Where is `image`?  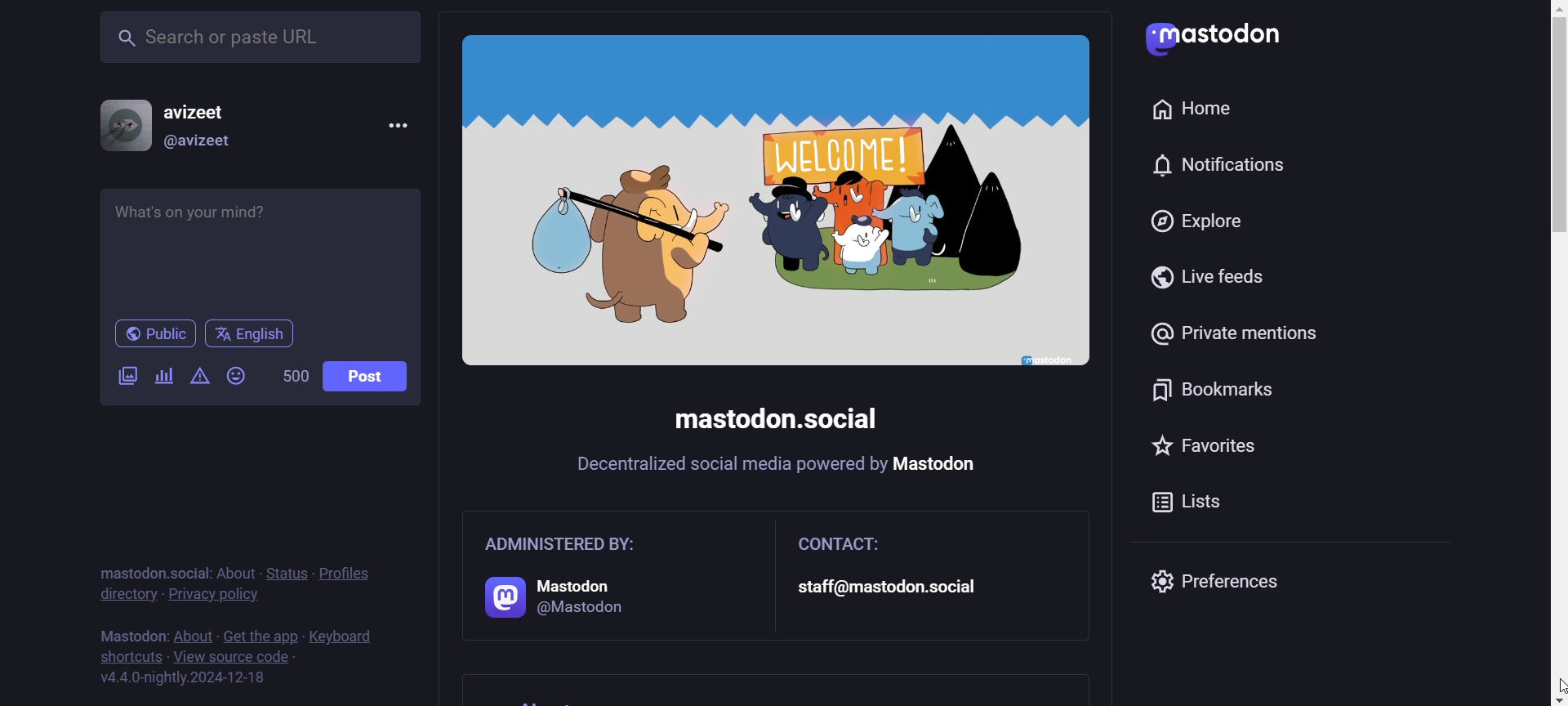 image is located at coordinates (779, 203).